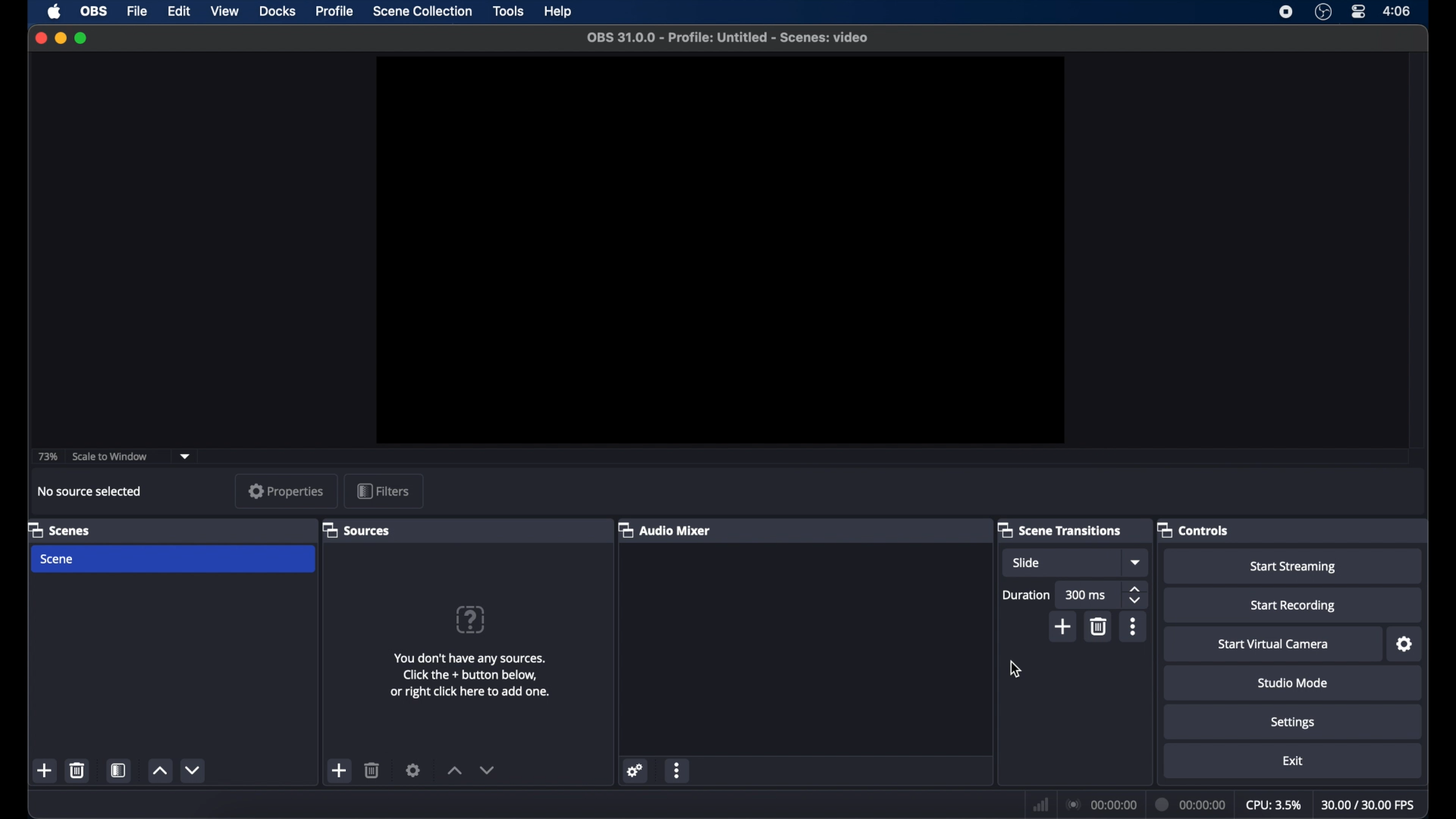  I want to click on delete, so click(1100, 626).